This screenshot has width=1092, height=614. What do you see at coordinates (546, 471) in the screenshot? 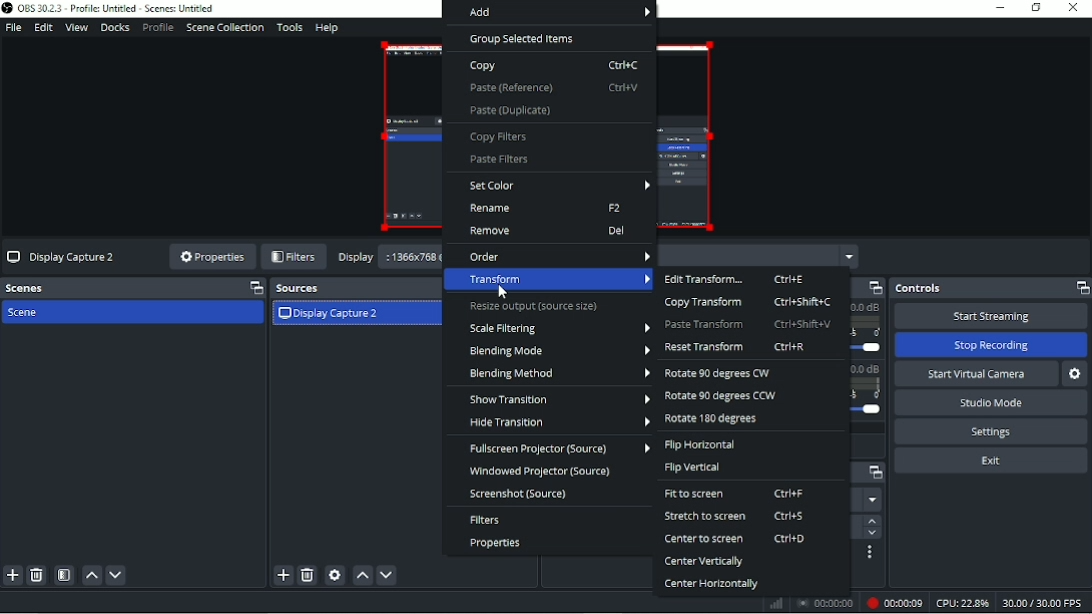
I see `Windowed projector` at bounding box center [546, 471].